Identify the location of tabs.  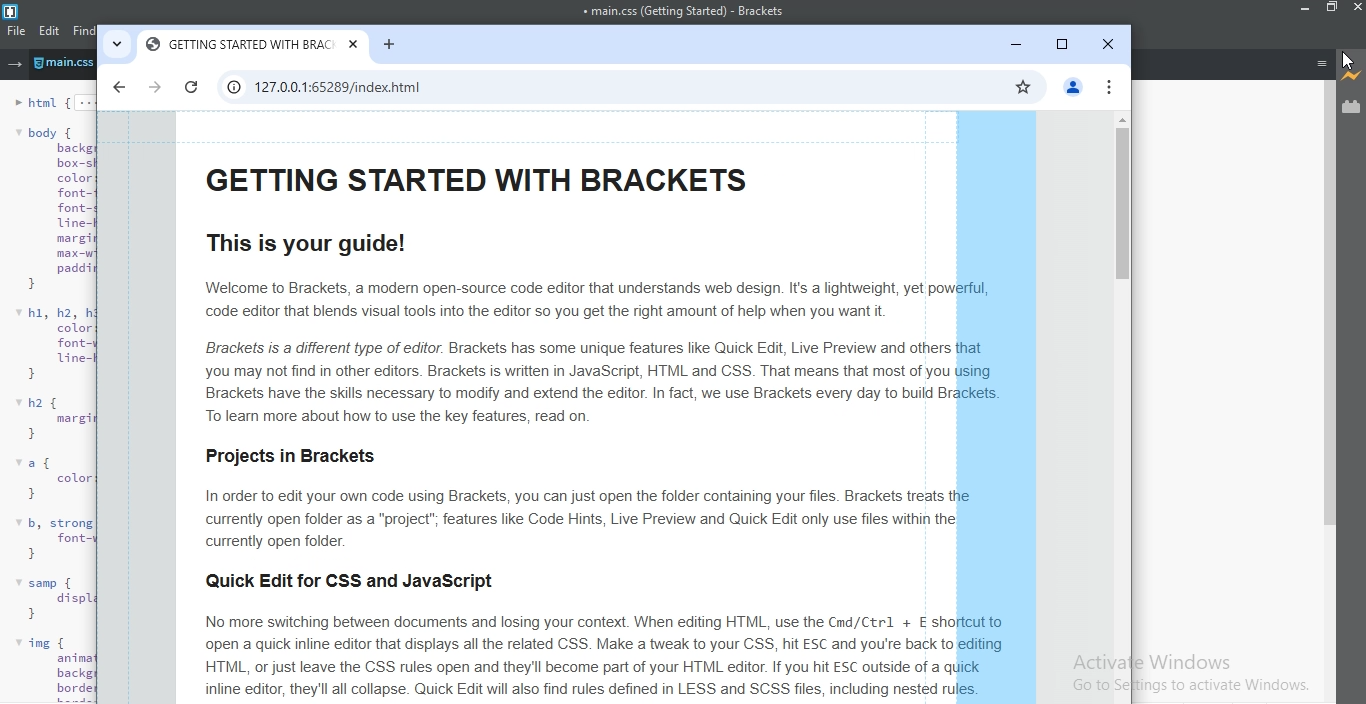
(114, 46).